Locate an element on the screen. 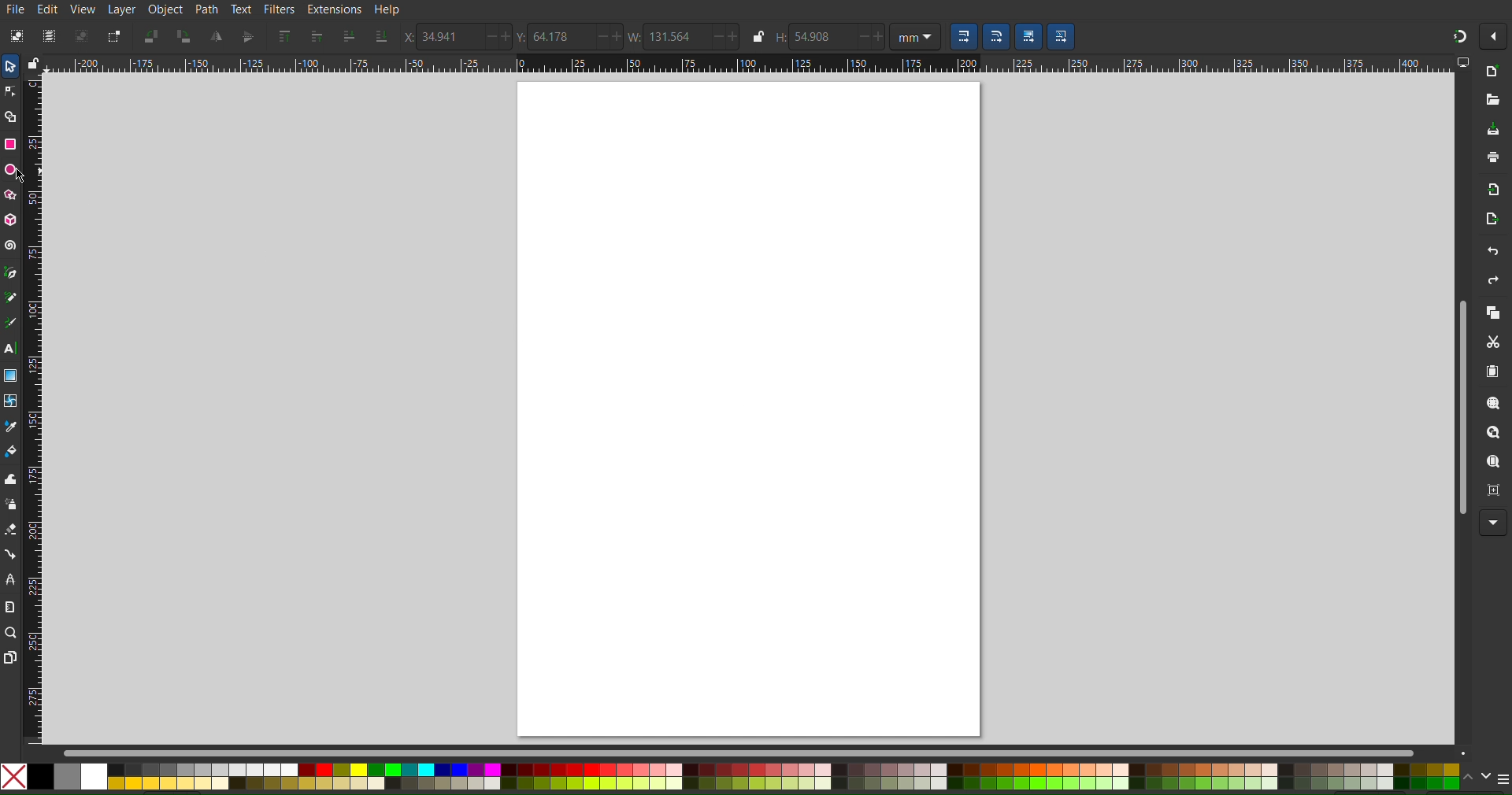  lock is located at coordinates (32, 61).